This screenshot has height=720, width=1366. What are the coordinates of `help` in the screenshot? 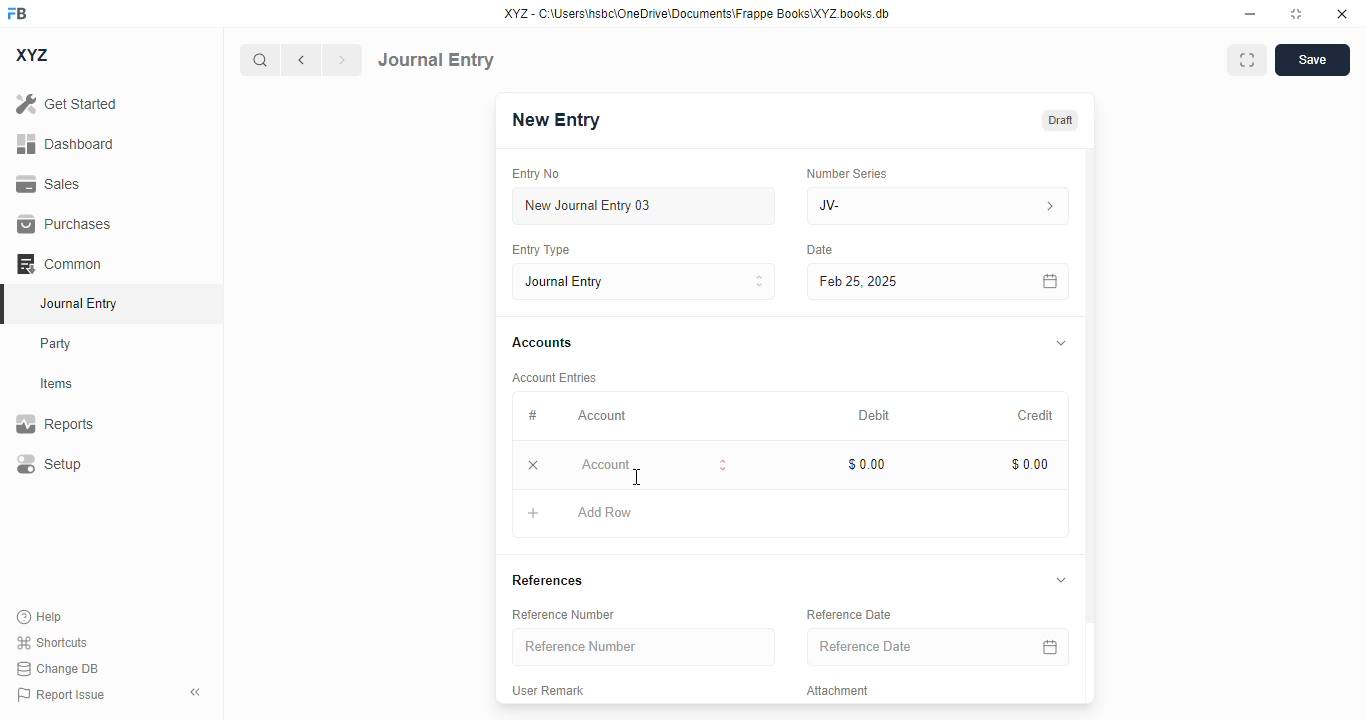 It's located at (40, 617).